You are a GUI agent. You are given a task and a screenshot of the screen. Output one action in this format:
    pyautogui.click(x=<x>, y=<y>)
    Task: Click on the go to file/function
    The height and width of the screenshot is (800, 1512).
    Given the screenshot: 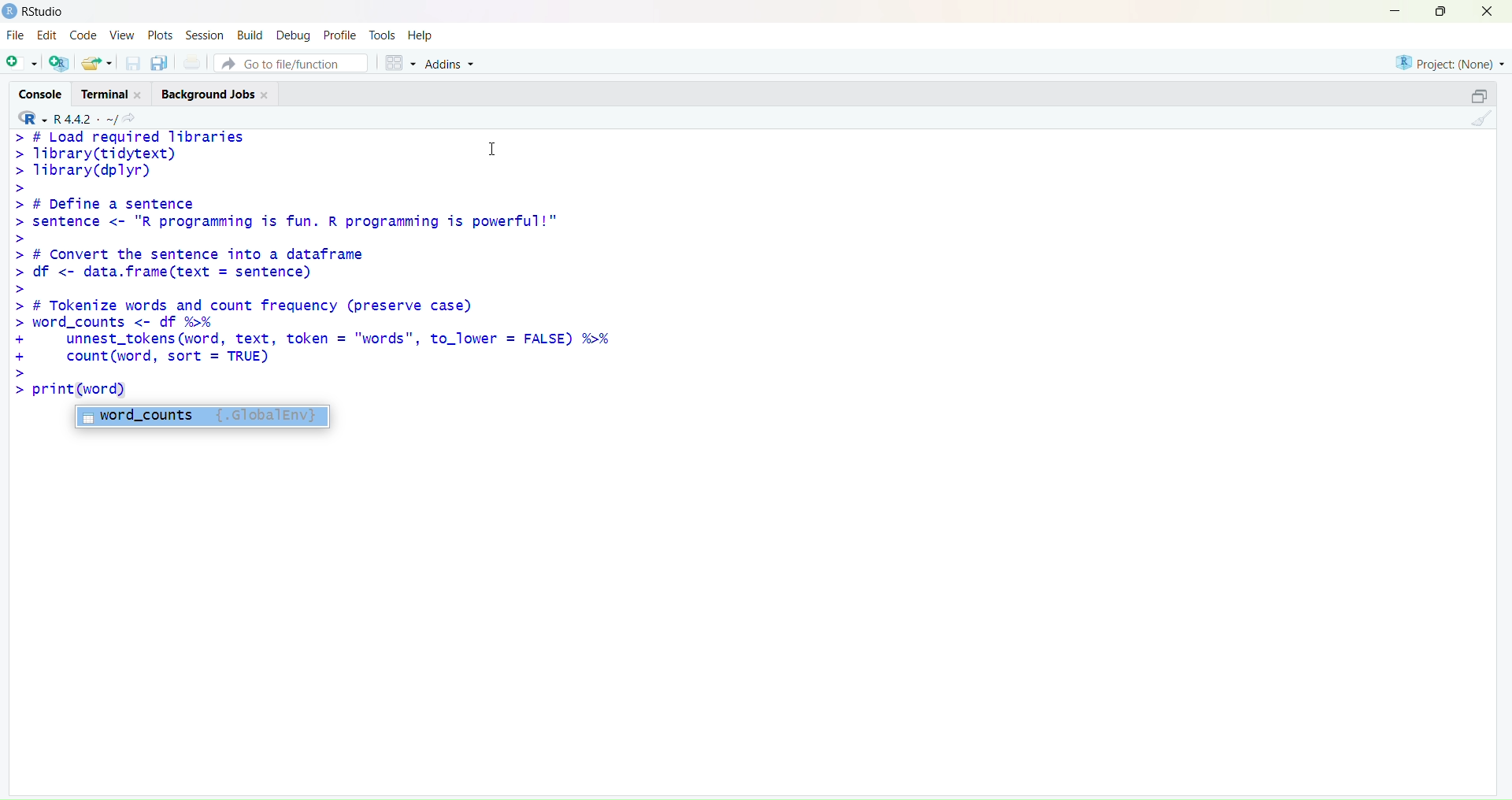 What is the action you would take?
    pyautogui.click(x=291, y=64)
    